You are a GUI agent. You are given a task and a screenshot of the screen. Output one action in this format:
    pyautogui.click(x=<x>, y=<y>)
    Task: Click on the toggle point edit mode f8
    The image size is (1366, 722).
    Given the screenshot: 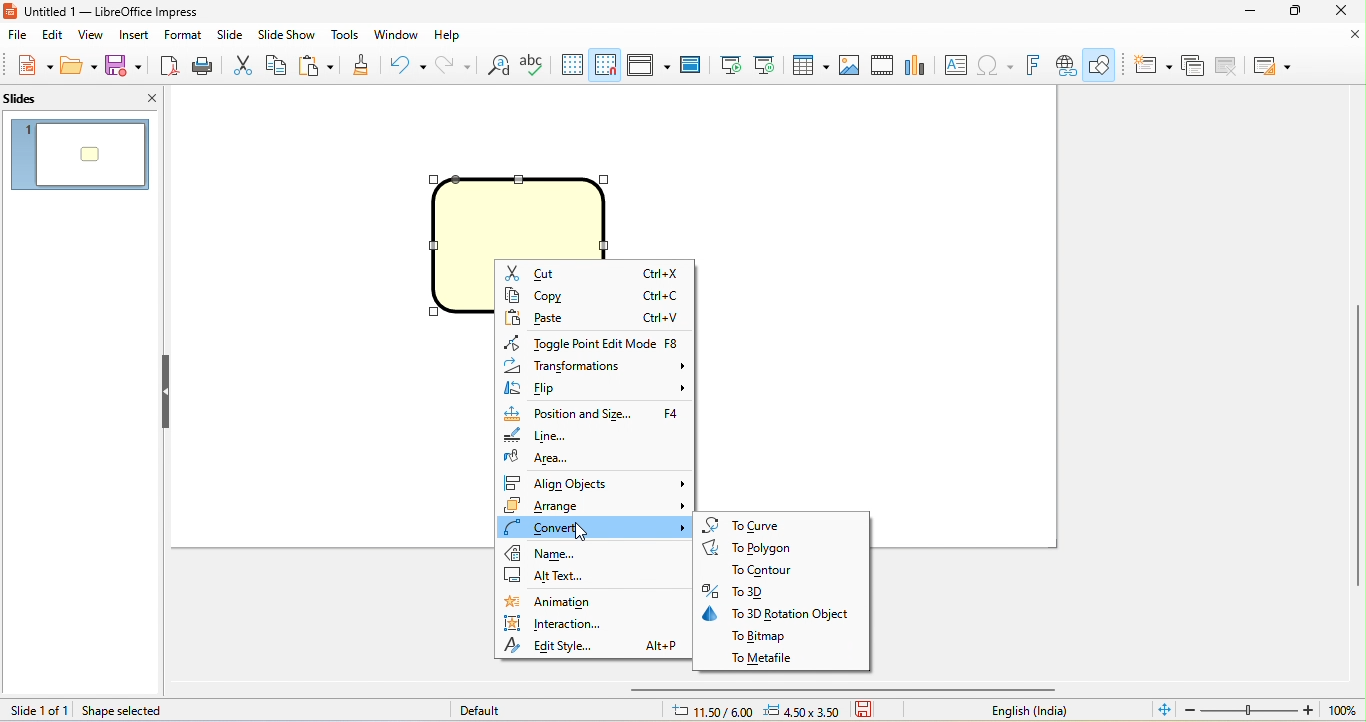 What is the action you would take?
    pyautogui.click(x=590, y=339)
    